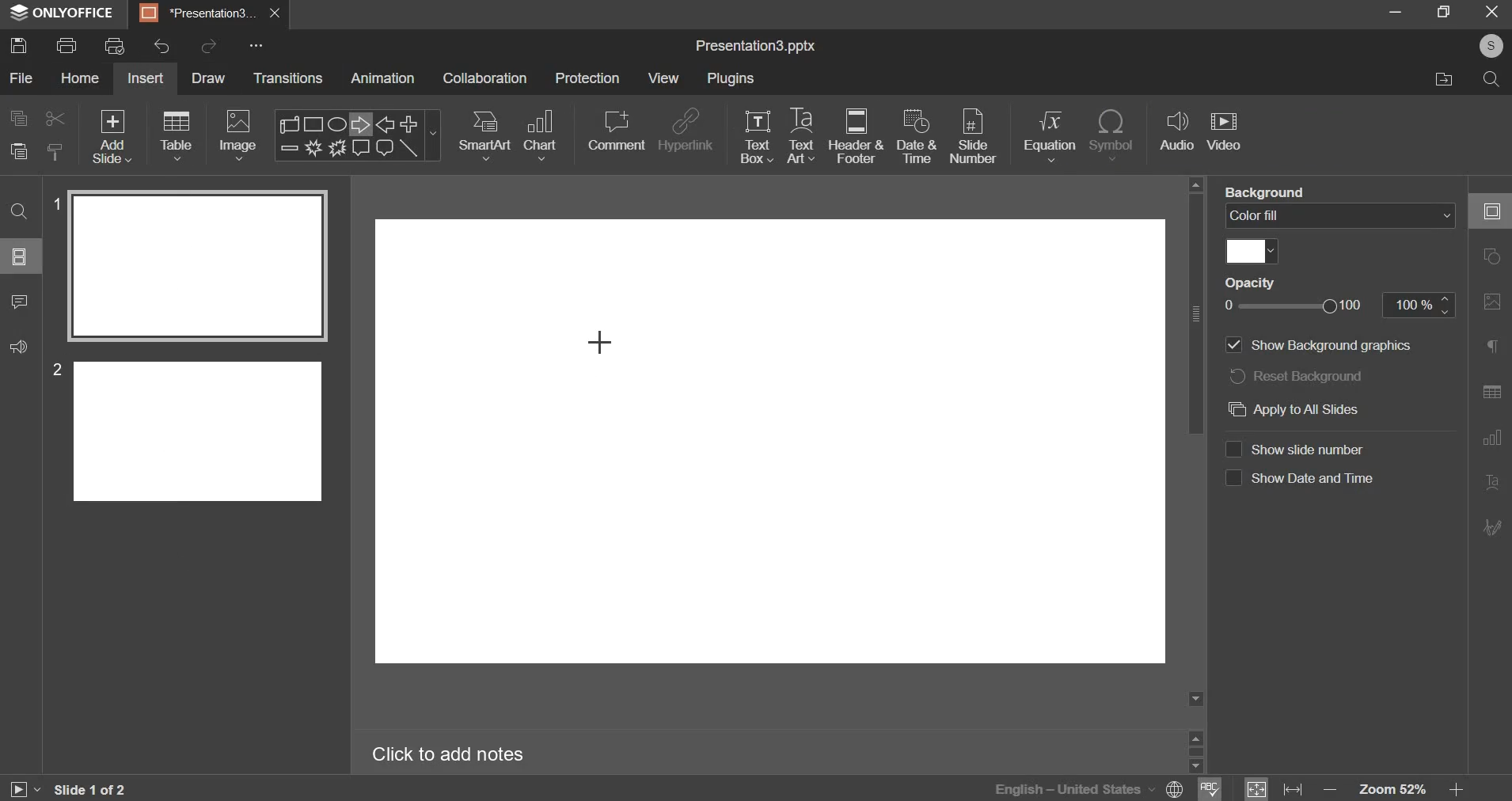 This screenshot has height=801, width=1512. I want to click on scrollbar, so click(1195, 751).